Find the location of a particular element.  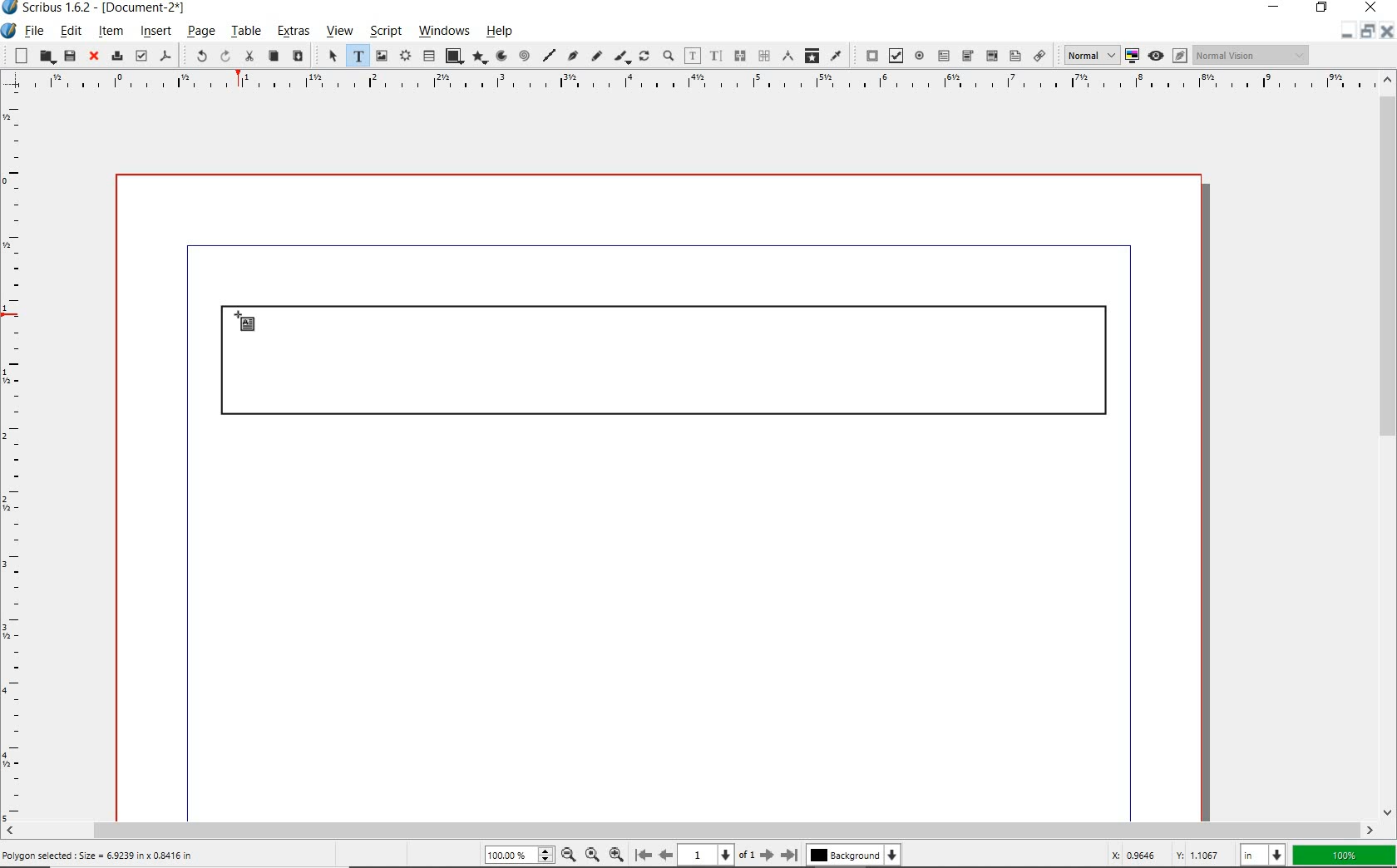

edit contents of frame is located at coordinates (692, 56).